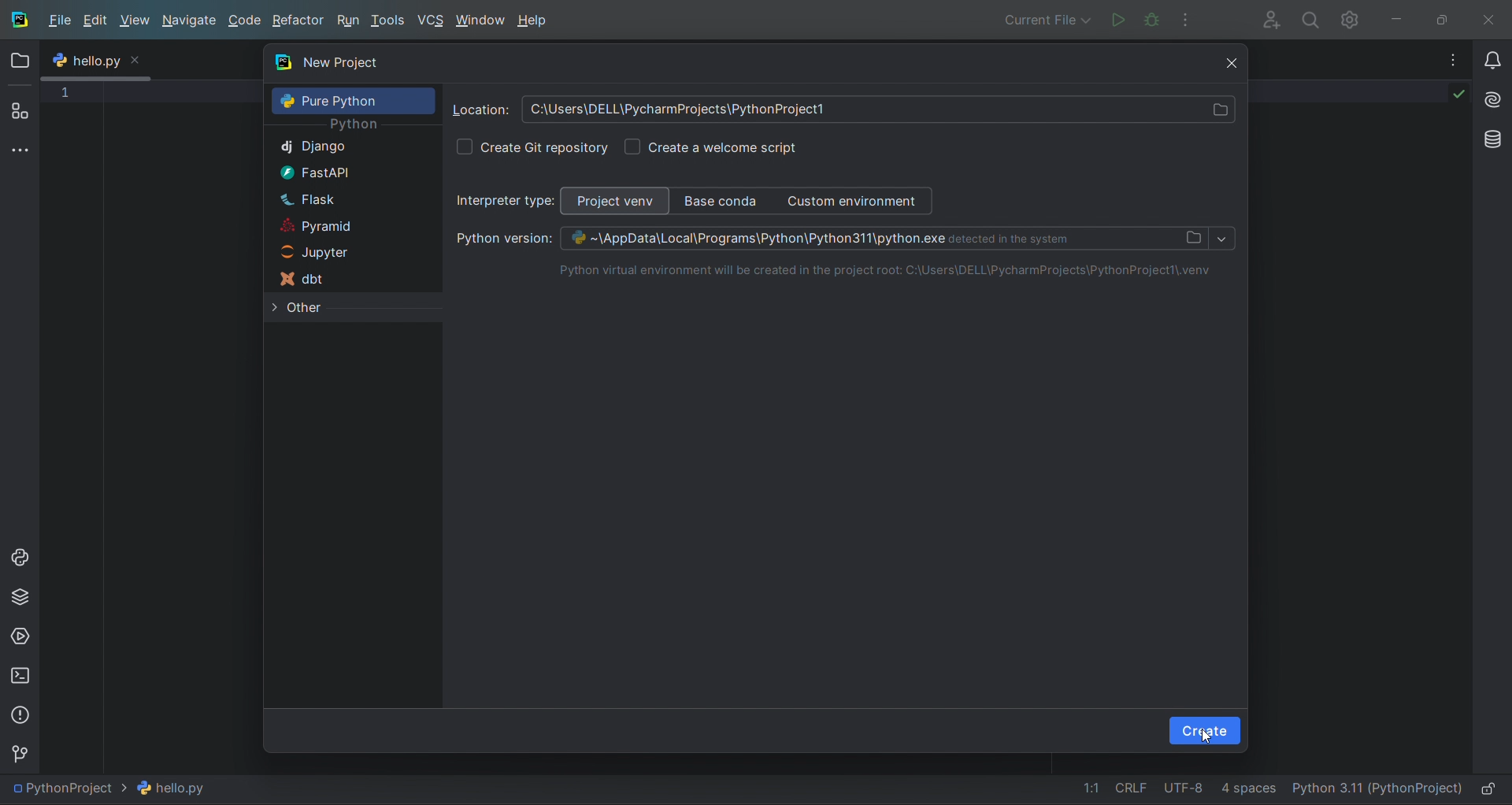  Describe the element at coordinates (724, 147) in the screenshot. I see `create a welcome script` at that location.